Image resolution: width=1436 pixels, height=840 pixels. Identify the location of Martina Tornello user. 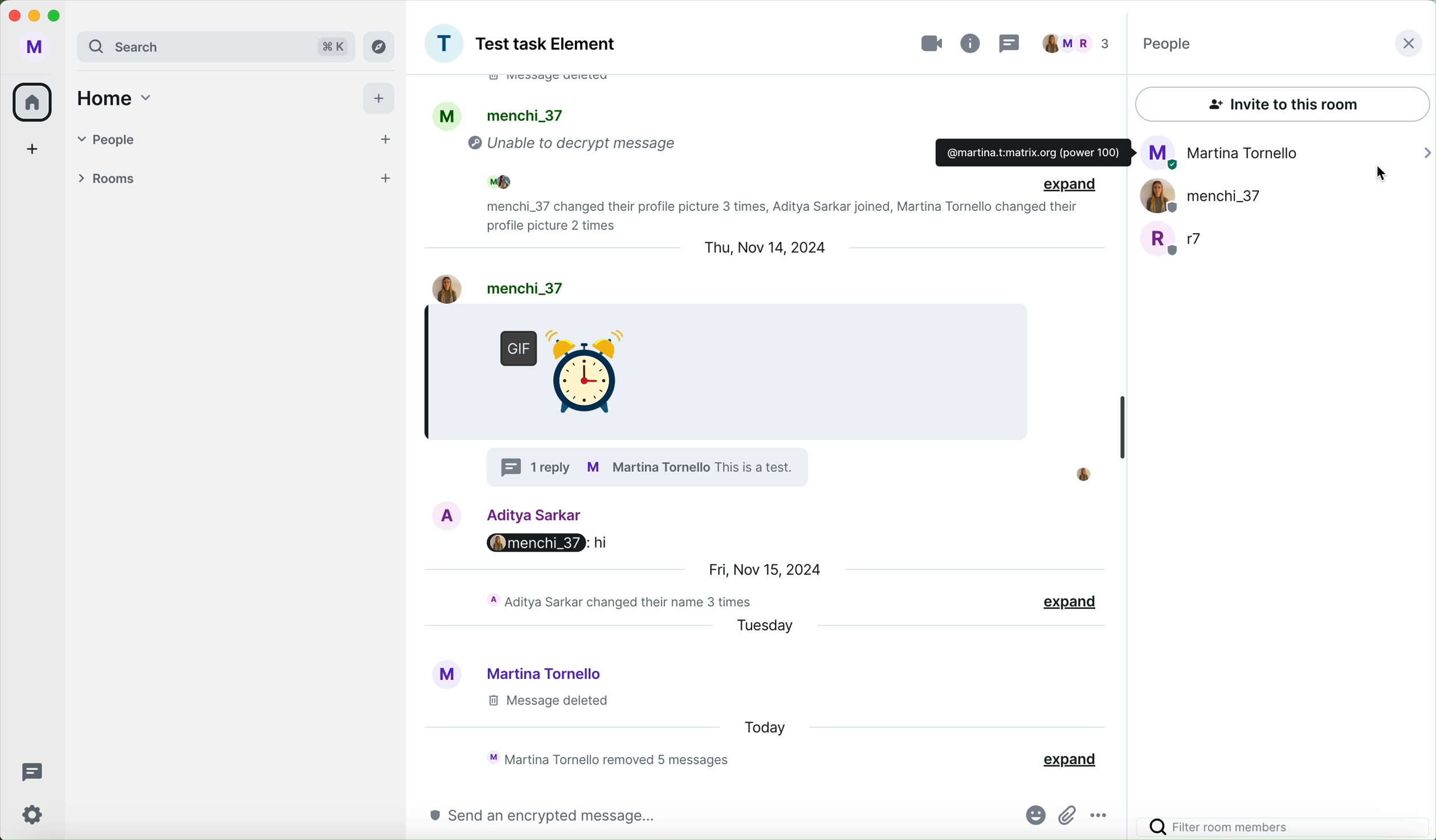
(1286, 149).